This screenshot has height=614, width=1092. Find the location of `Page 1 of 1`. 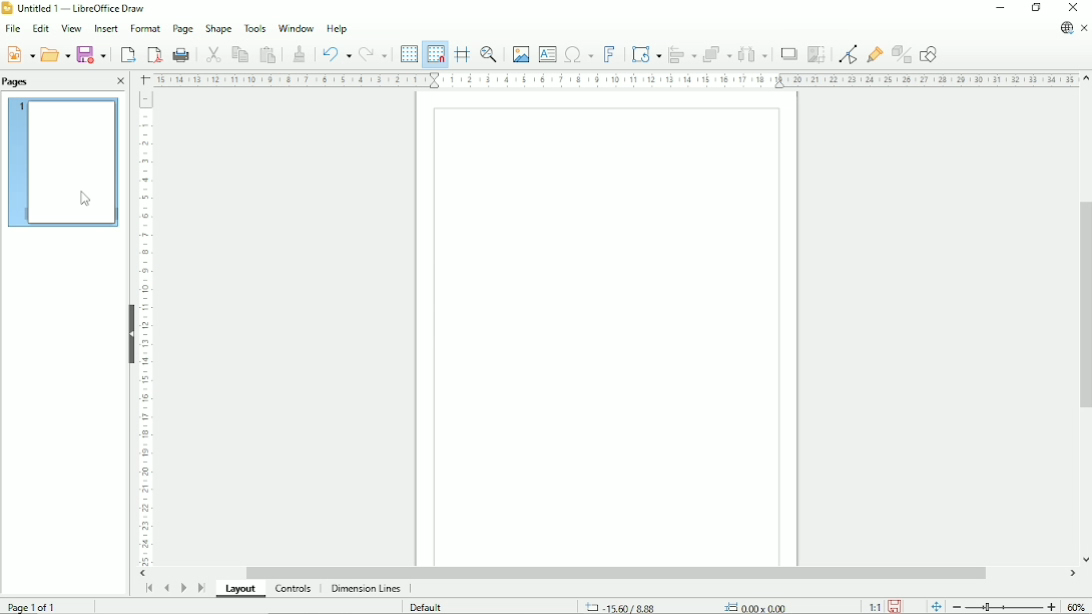

Page 1 of 1 is located at coordinates (33, 605).